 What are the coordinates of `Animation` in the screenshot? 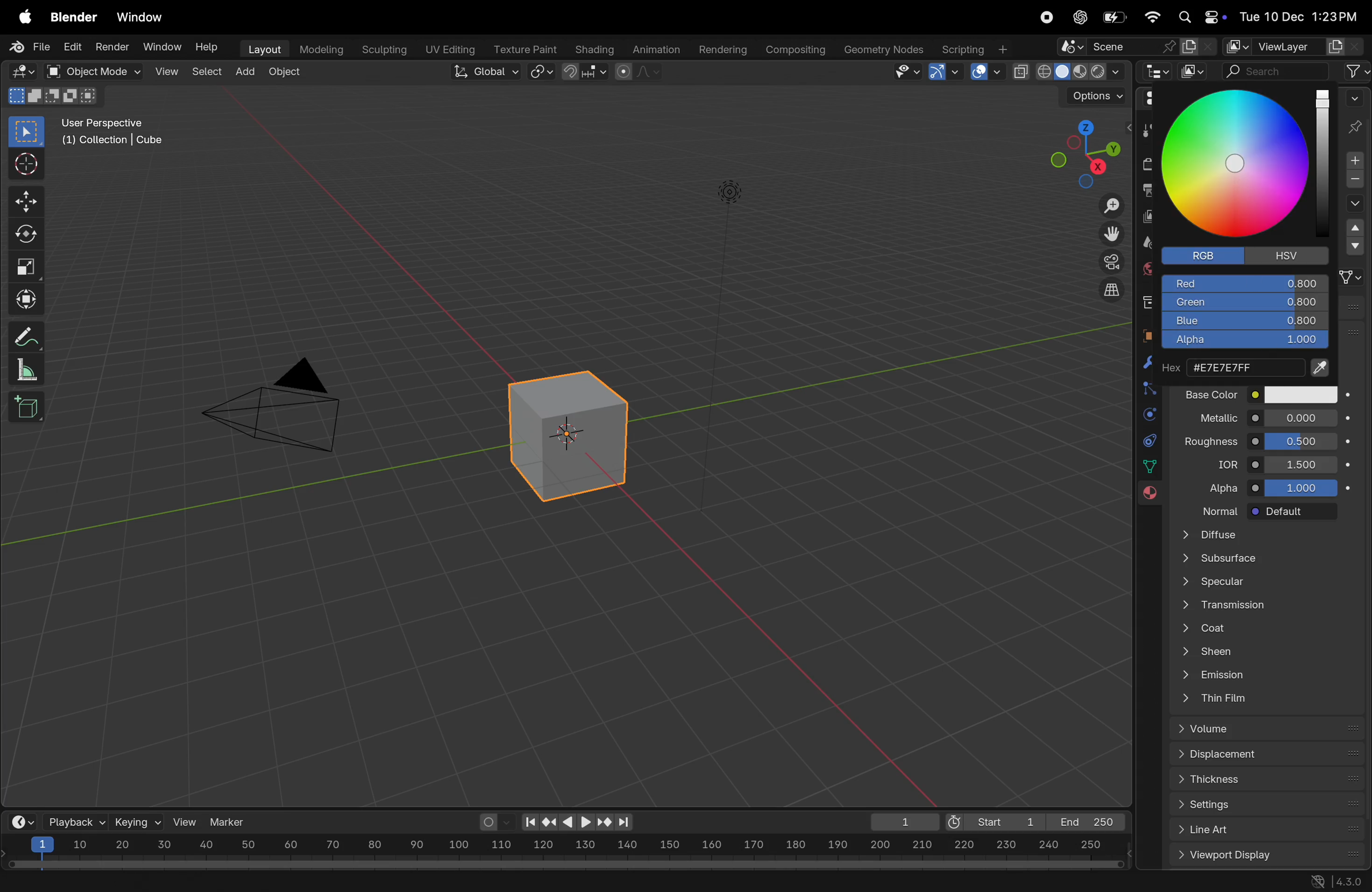 It's located at (658, 48).